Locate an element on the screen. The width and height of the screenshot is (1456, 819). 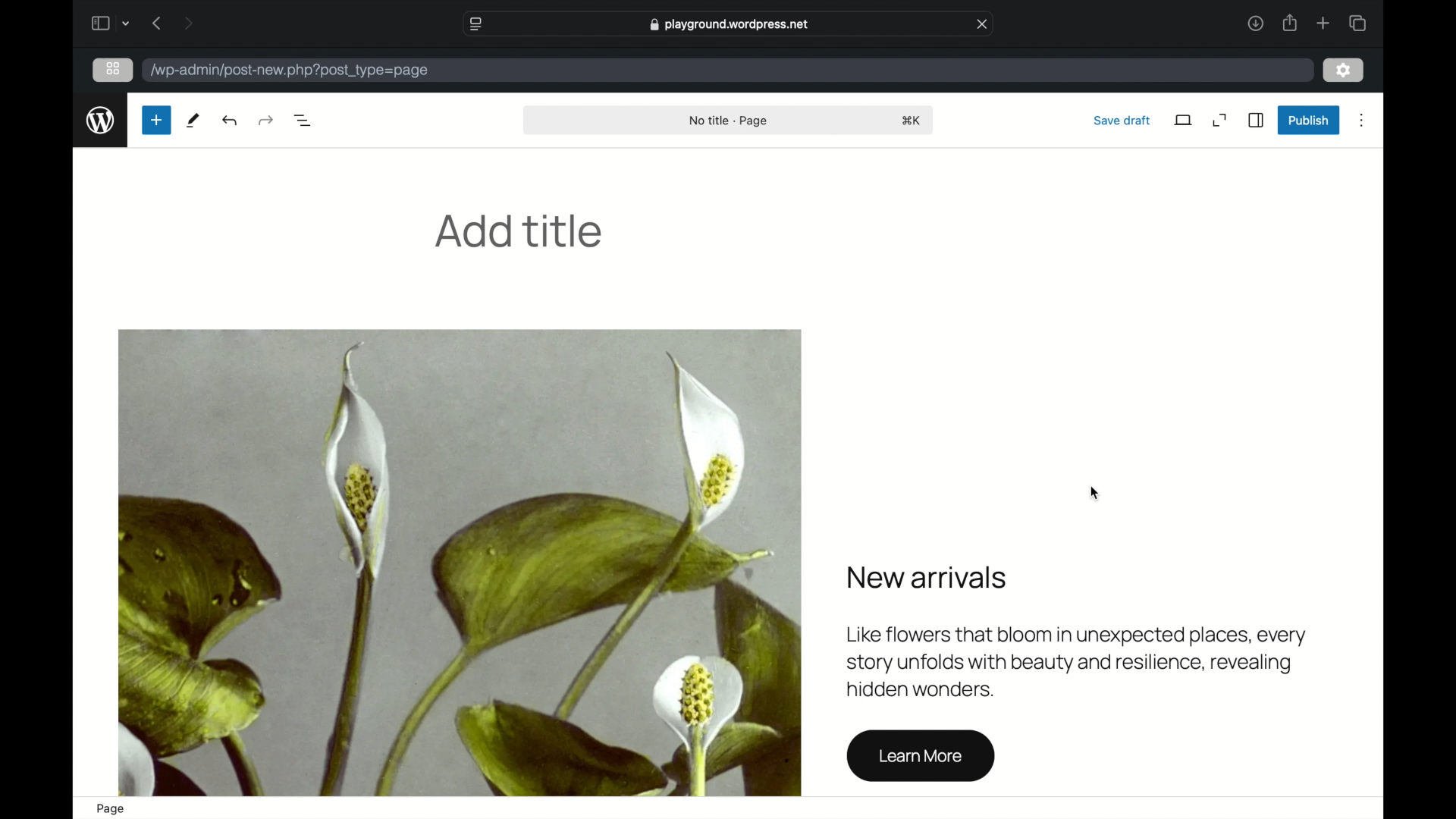
wordpress is located at coordinates (101, 121).